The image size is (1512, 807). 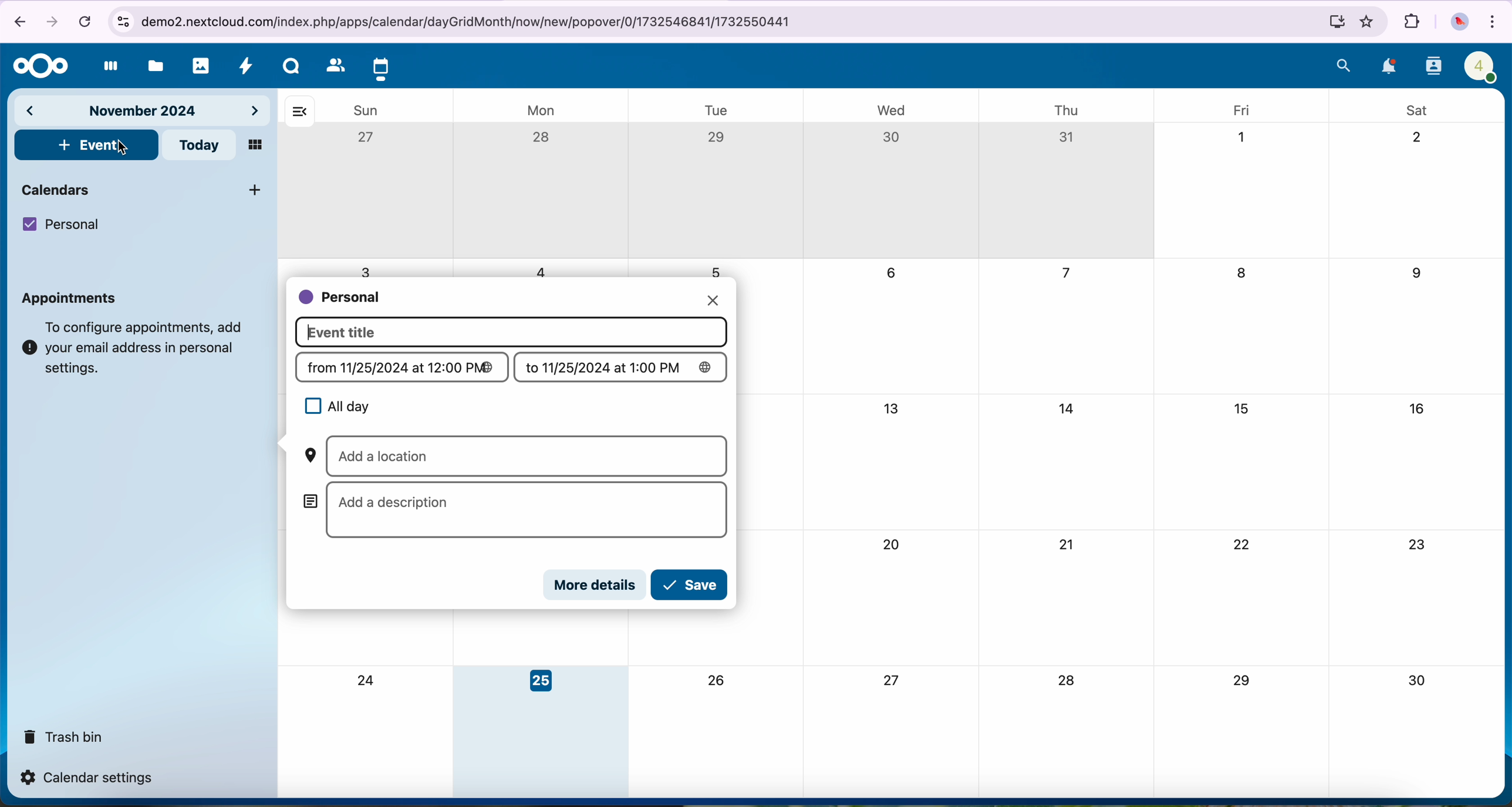 I want to click on 12, so click(x=717, y=410).